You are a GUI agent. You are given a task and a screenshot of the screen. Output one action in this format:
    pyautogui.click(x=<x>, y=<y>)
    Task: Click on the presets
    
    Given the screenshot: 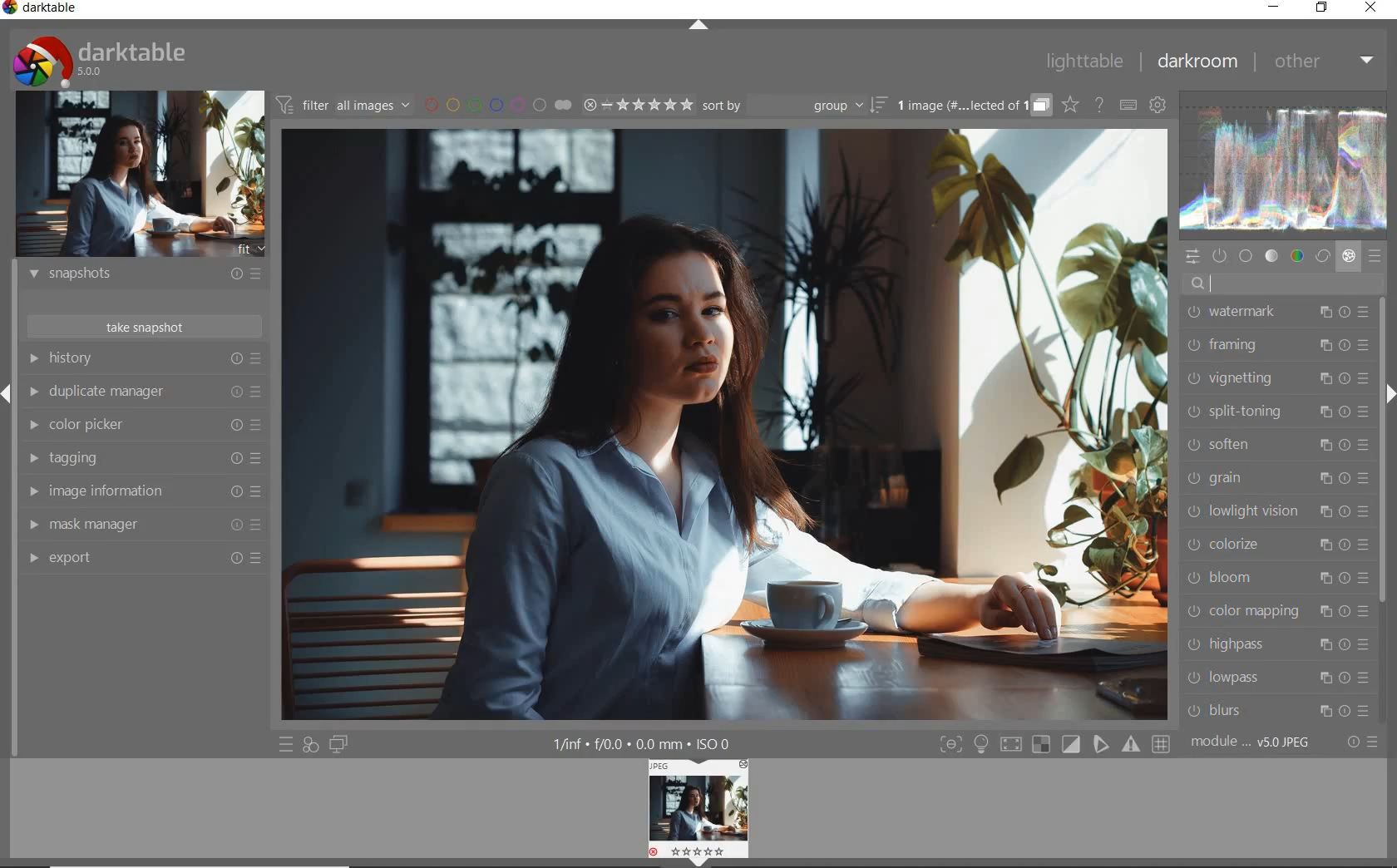 What is the action you would take?
    pyautogui.click(x=1376, y=256)
    